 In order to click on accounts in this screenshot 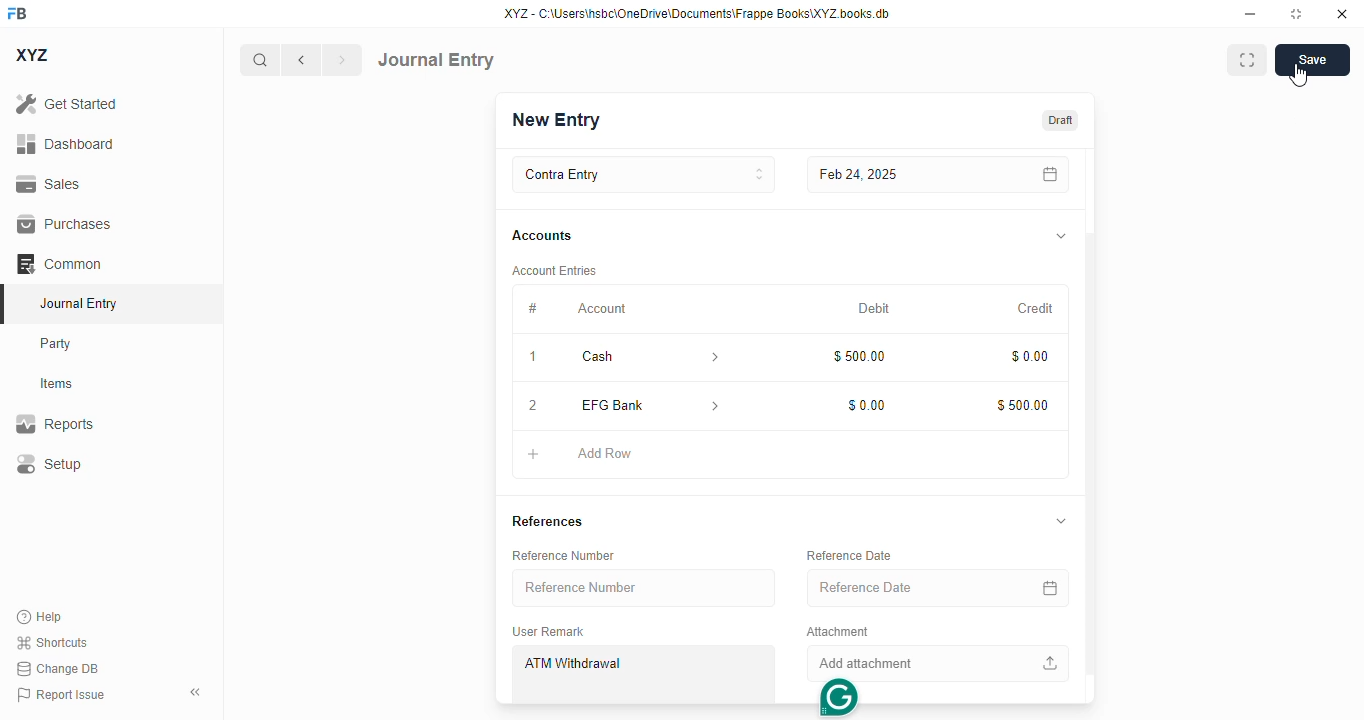, I will do `click(542, 236)`.